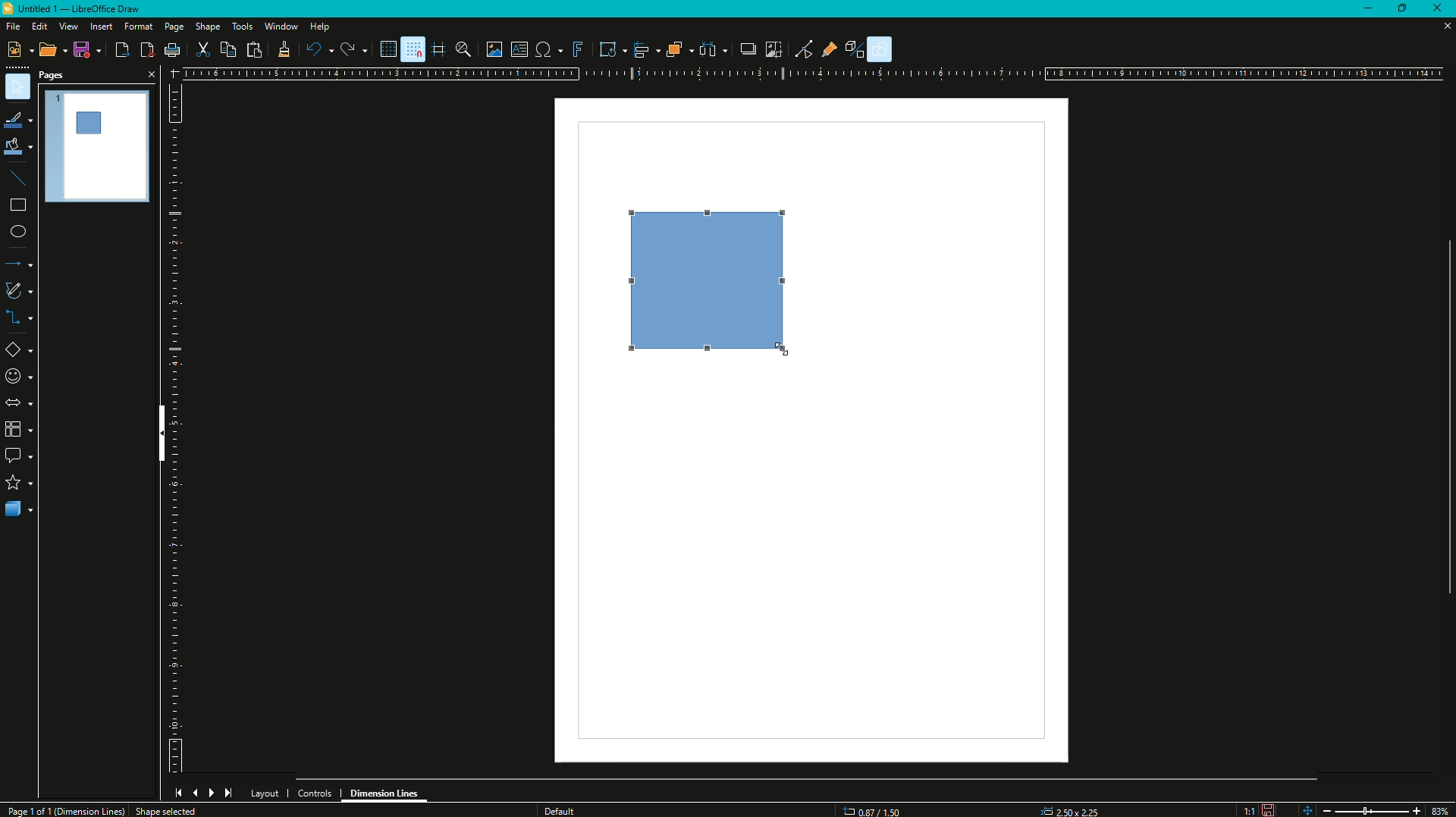 This screenshot has height=817, width=1456. Describe the element at coordinates (833, 50) in the screenshot. I see `Show Gluepoint Function` at that location.